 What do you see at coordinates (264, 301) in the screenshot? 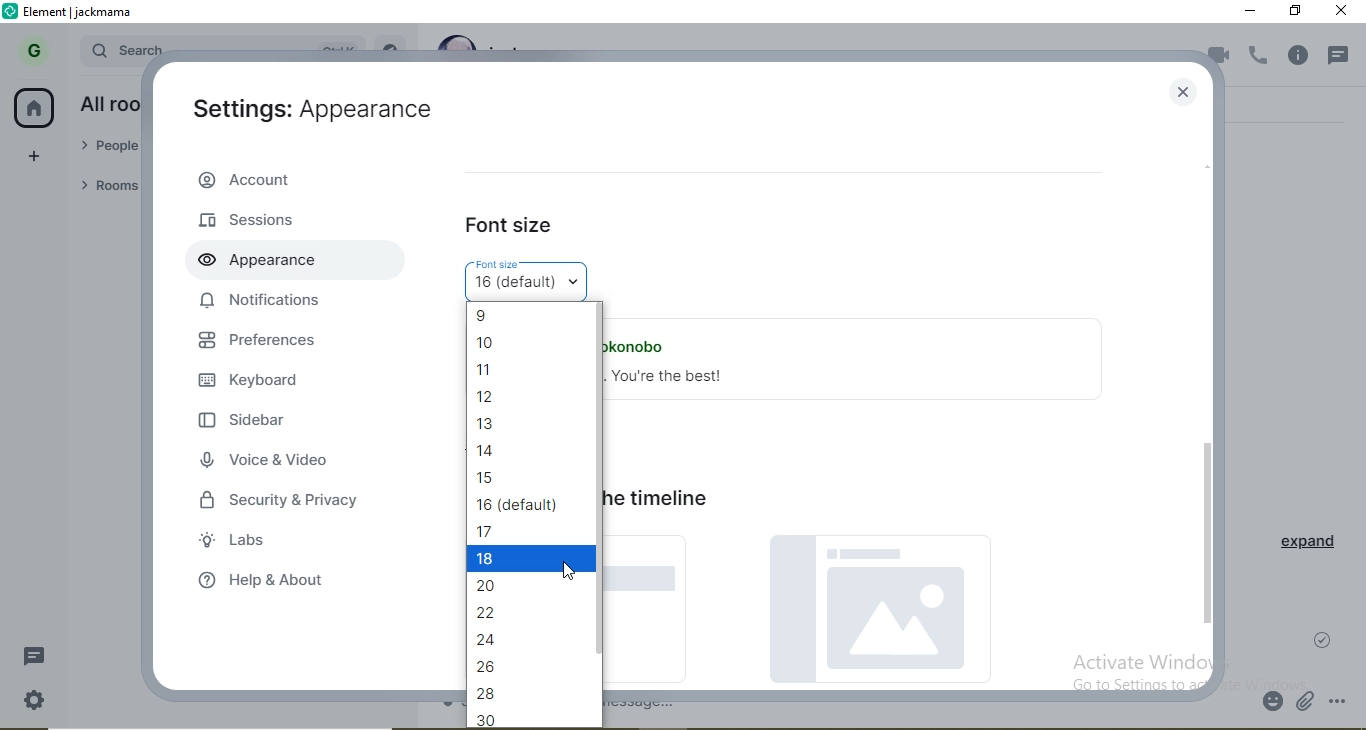
I see `notifications` at bounding box center [264, 301].